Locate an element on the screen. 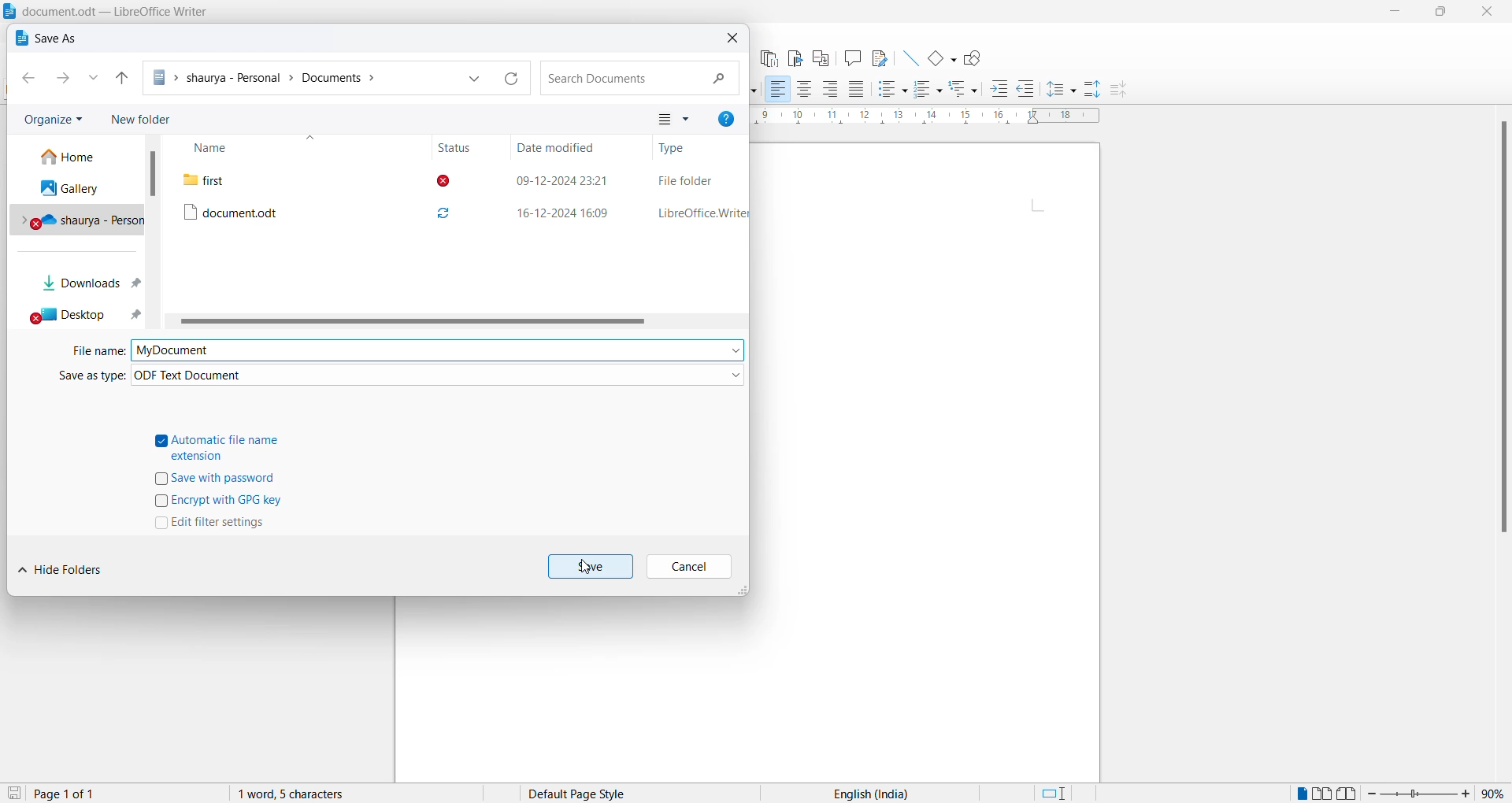  1 word, 5 characters is located at coordinates (329, 794).